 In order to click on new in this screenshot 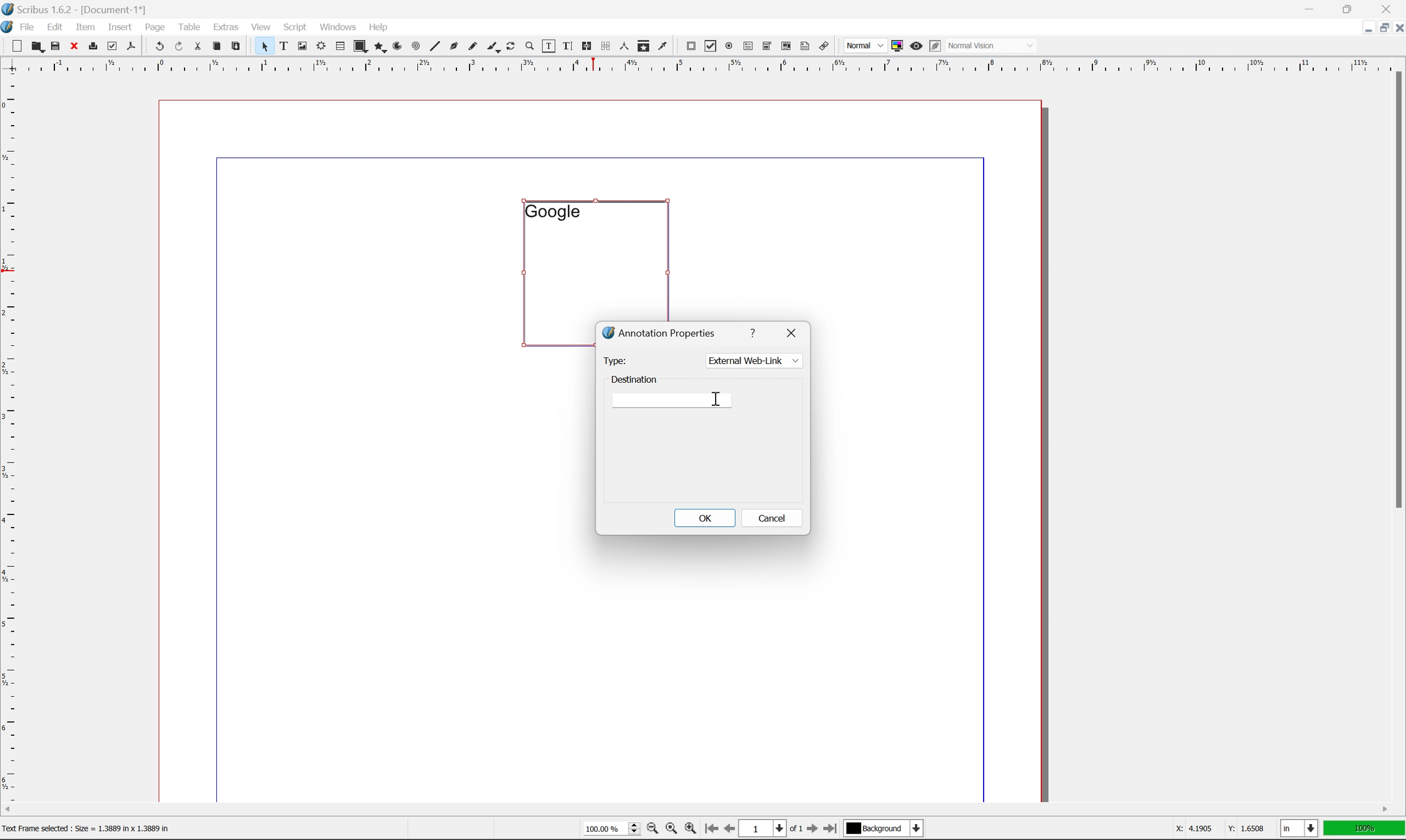, I will do `click(18, 46)`.